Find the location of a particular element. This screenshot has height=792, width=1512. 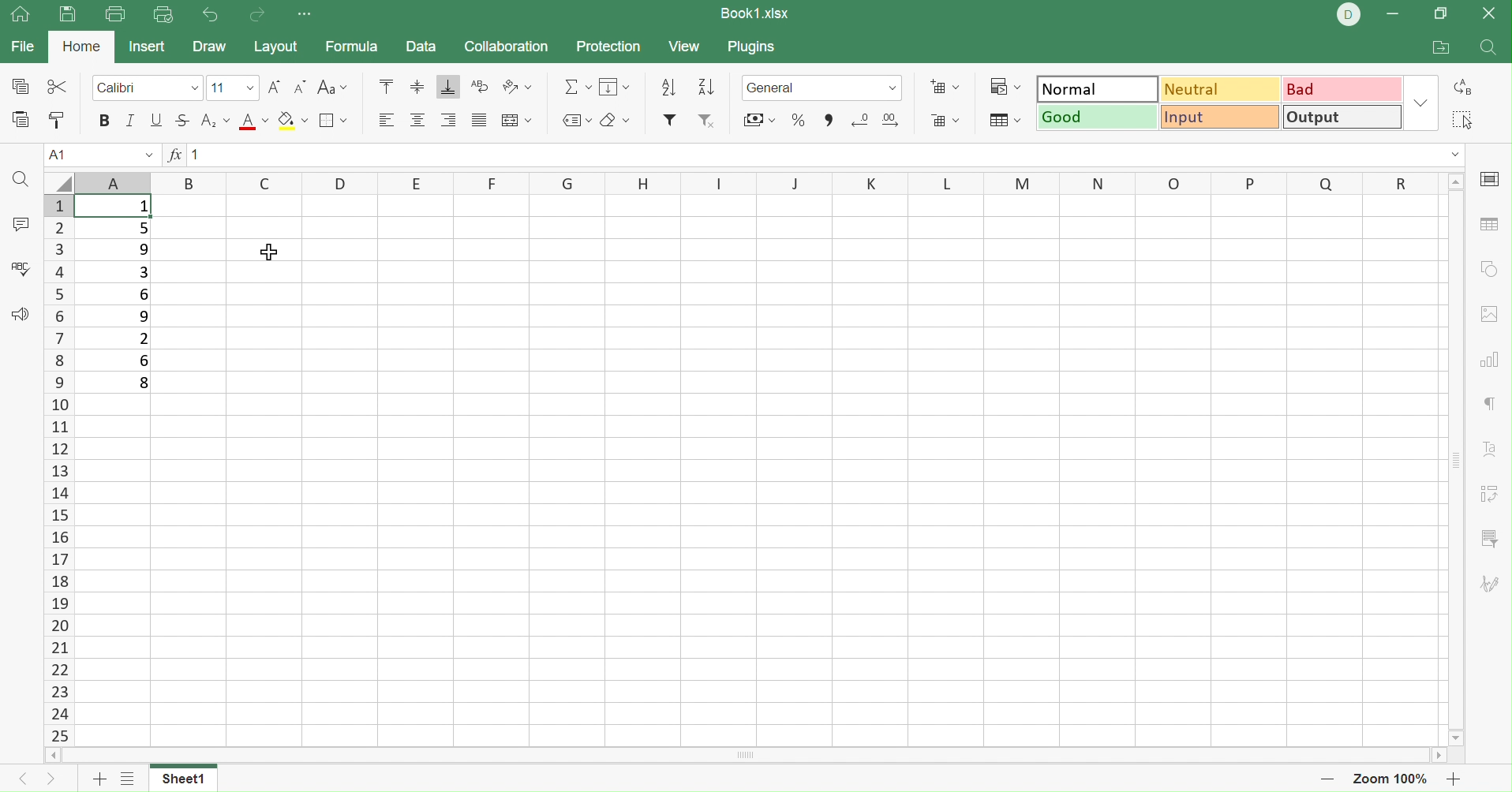

Output is located at coordinates (1342, 118).